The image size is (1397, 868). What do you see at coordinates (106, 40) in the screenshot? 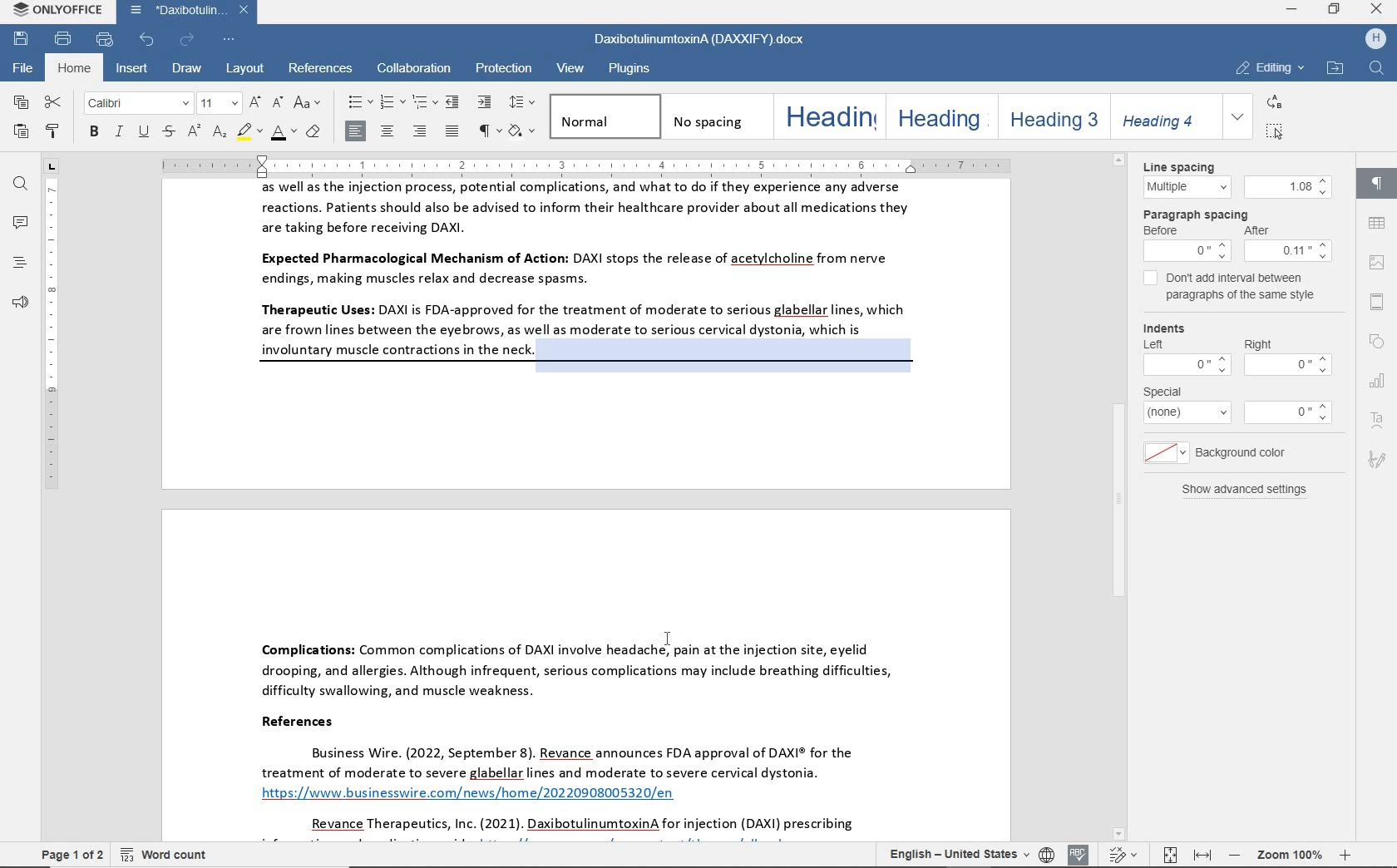
I see `quick print` at bounding box center [106, 40].